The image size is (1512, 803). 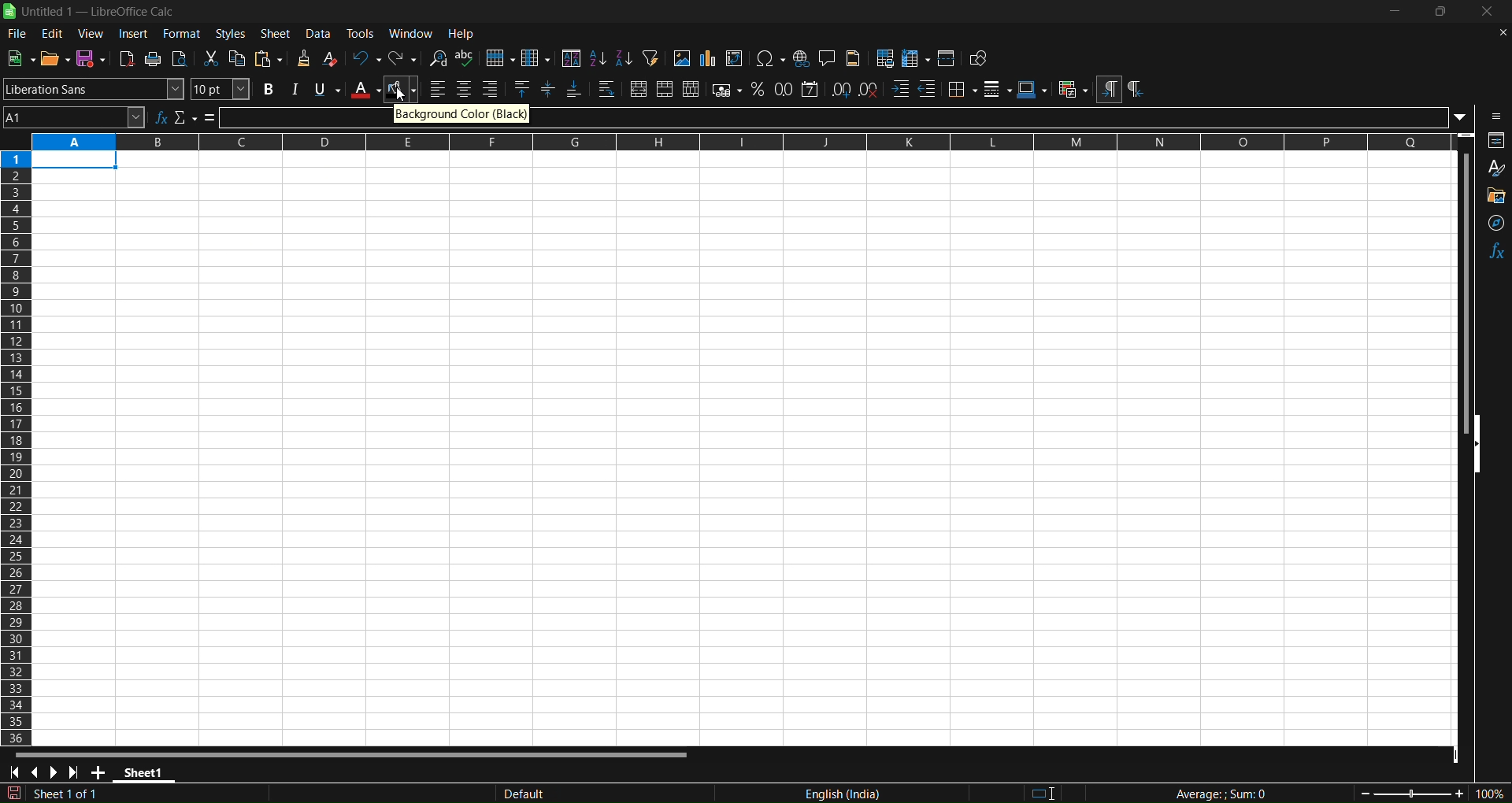 What do you see at coordinates (572, 57) in the screenshot?
I see `sort` at bounding box center [572, 57].